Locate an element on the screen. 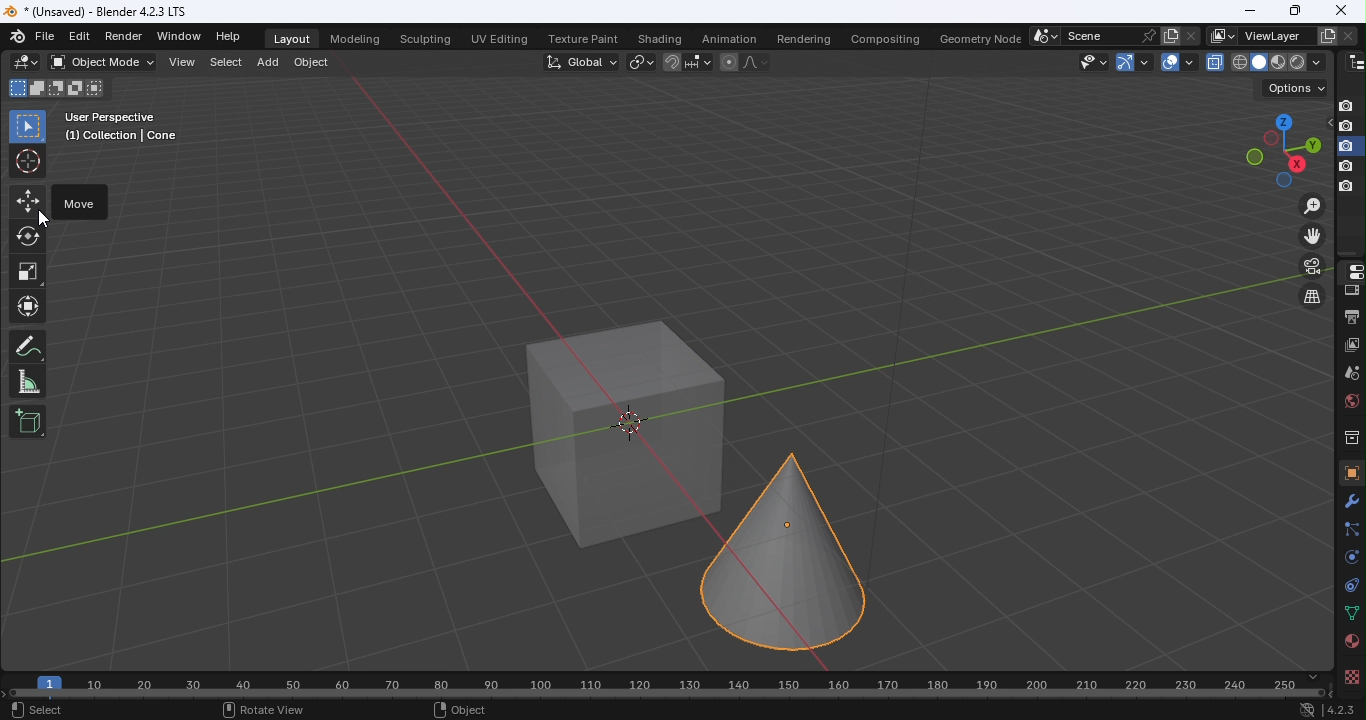  Show Gizmos is located at coordinates (1145, 61).